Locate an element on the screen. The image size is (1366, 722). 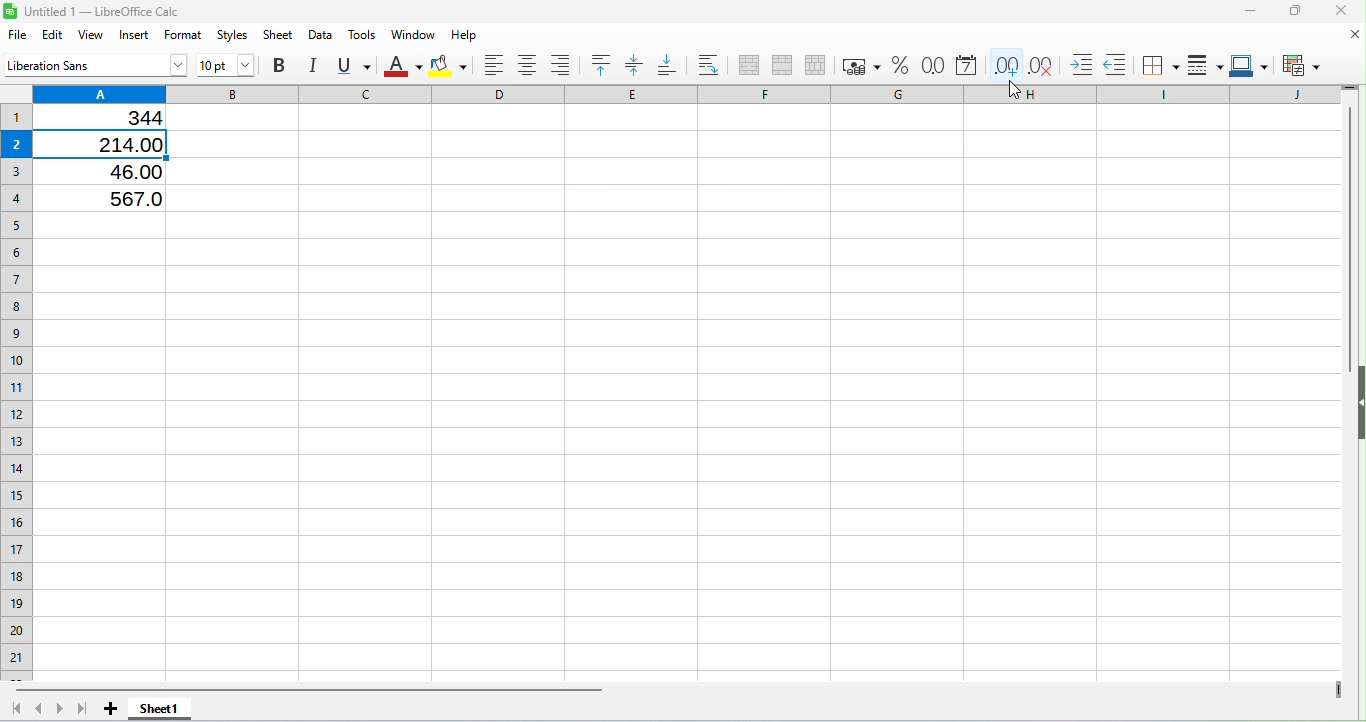
Underline is located at coordinates (355, 63).